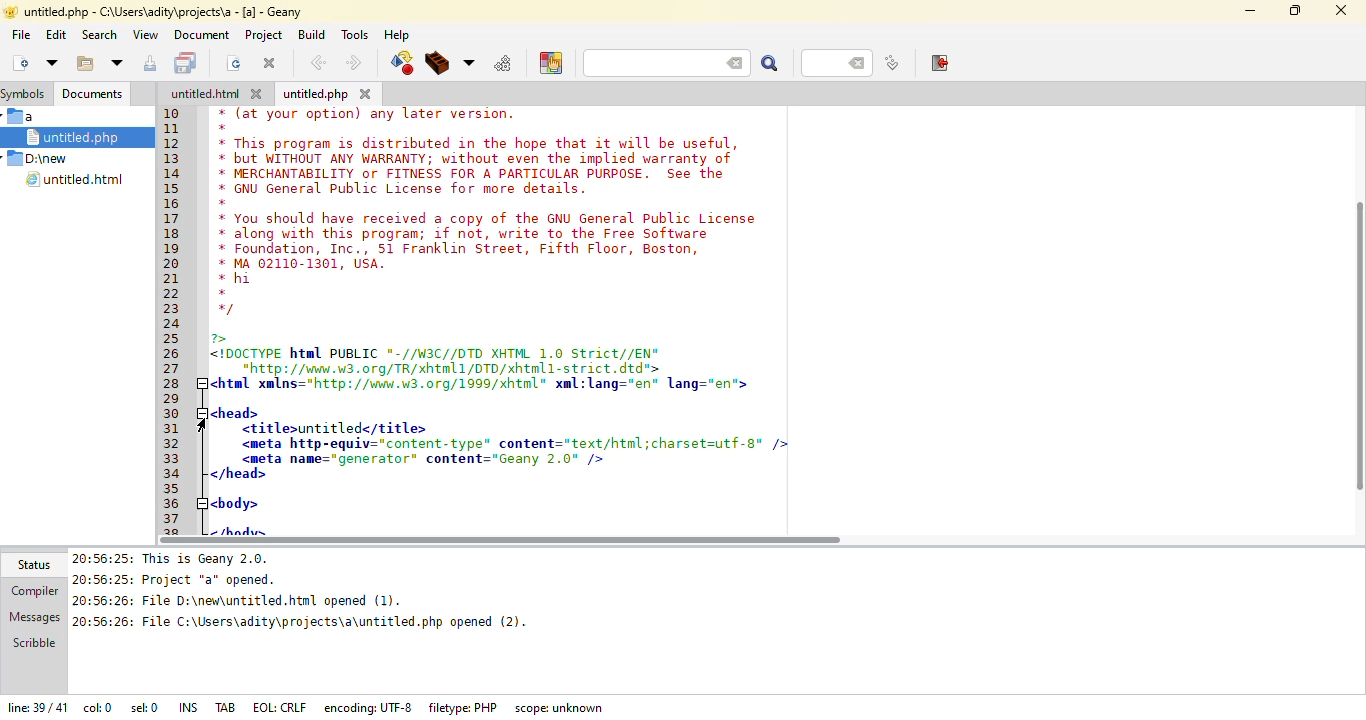  What do you see at coordinates (186, 13) in the screenshot?
I see `untitles.php -C:\users\adity\projects\a - [a] - geany` at bounding box center [186, 13].